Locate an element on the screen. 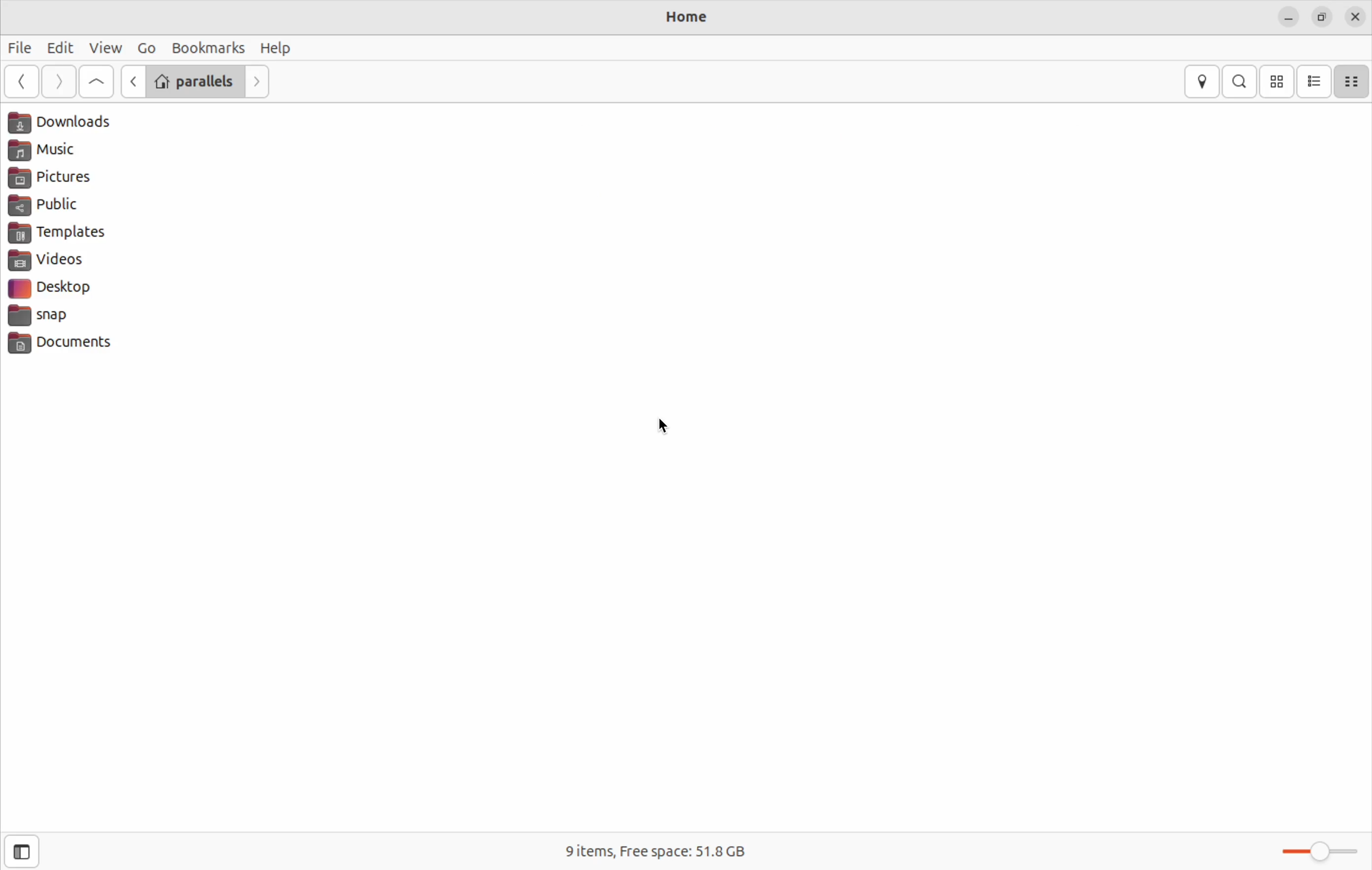 The height and width of the screenshot is (870, 1372). snap is located at coordinates (83, 317).